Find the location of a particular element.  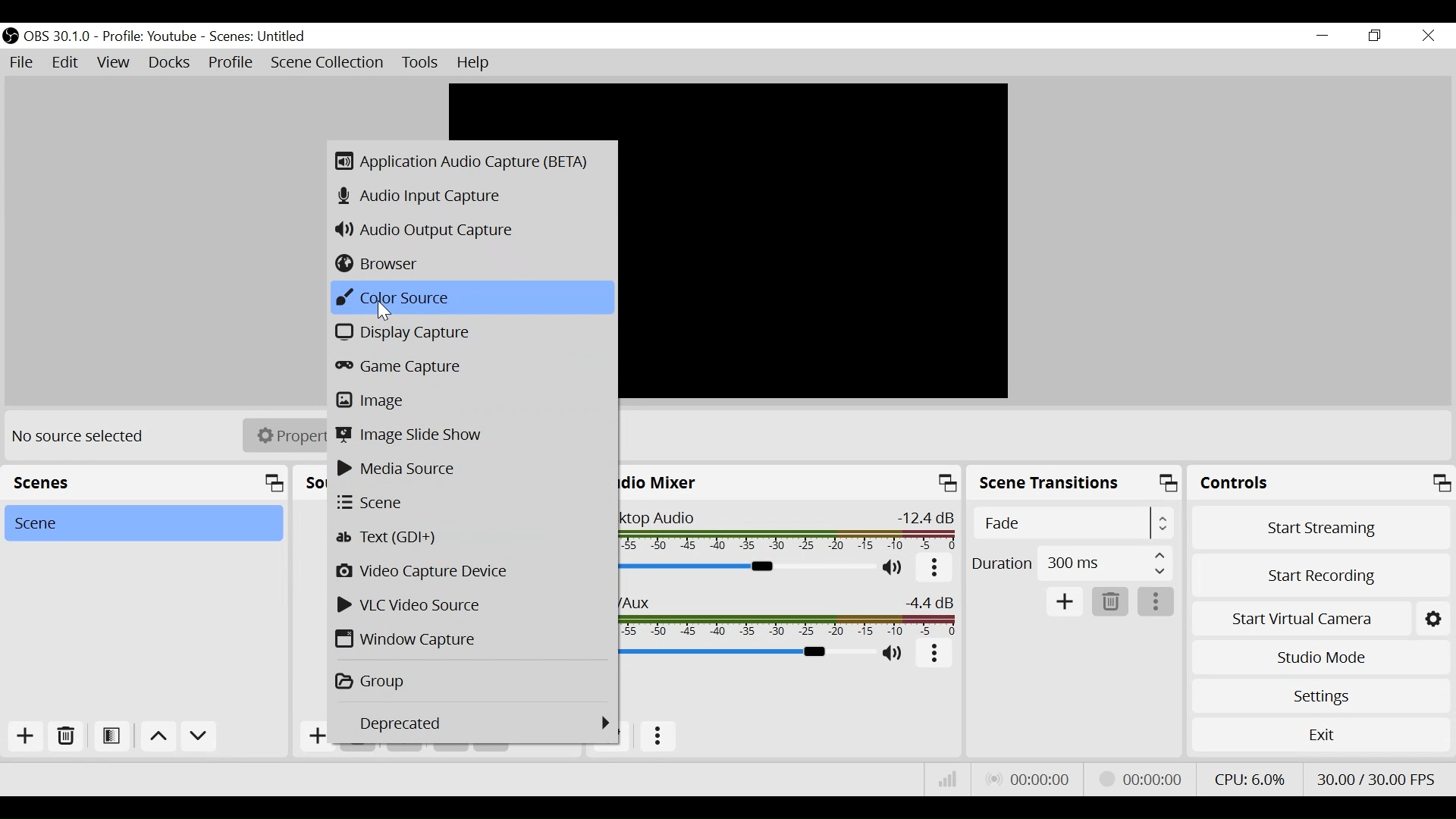

Profile is located at coordinates (231, 62).